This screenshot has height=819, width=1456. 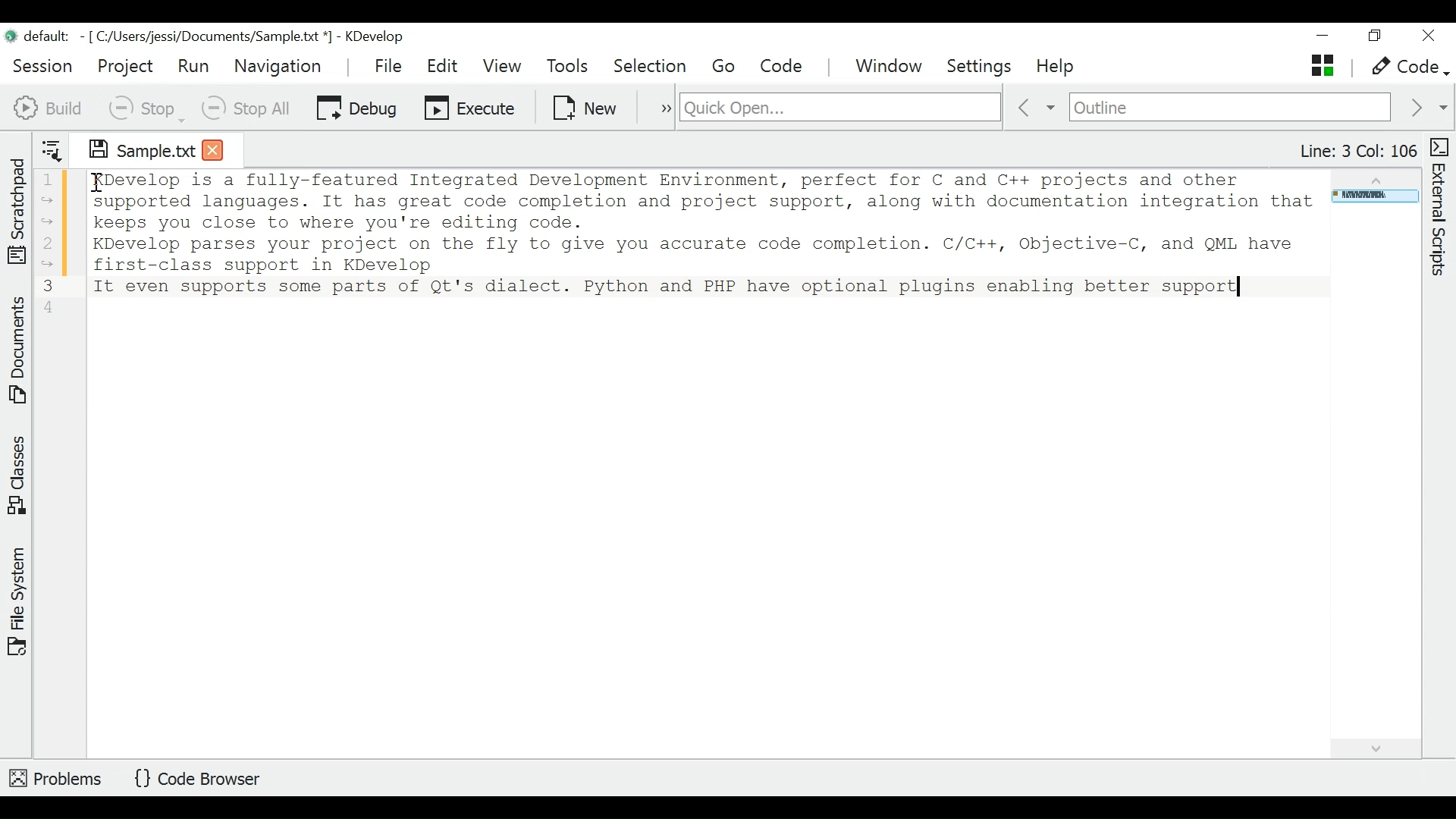 What do you see at coordinates (1321, 65) in the screenshot?
I see `Stack (Opens and activates the documet)` at bounding box center [1321, 65].